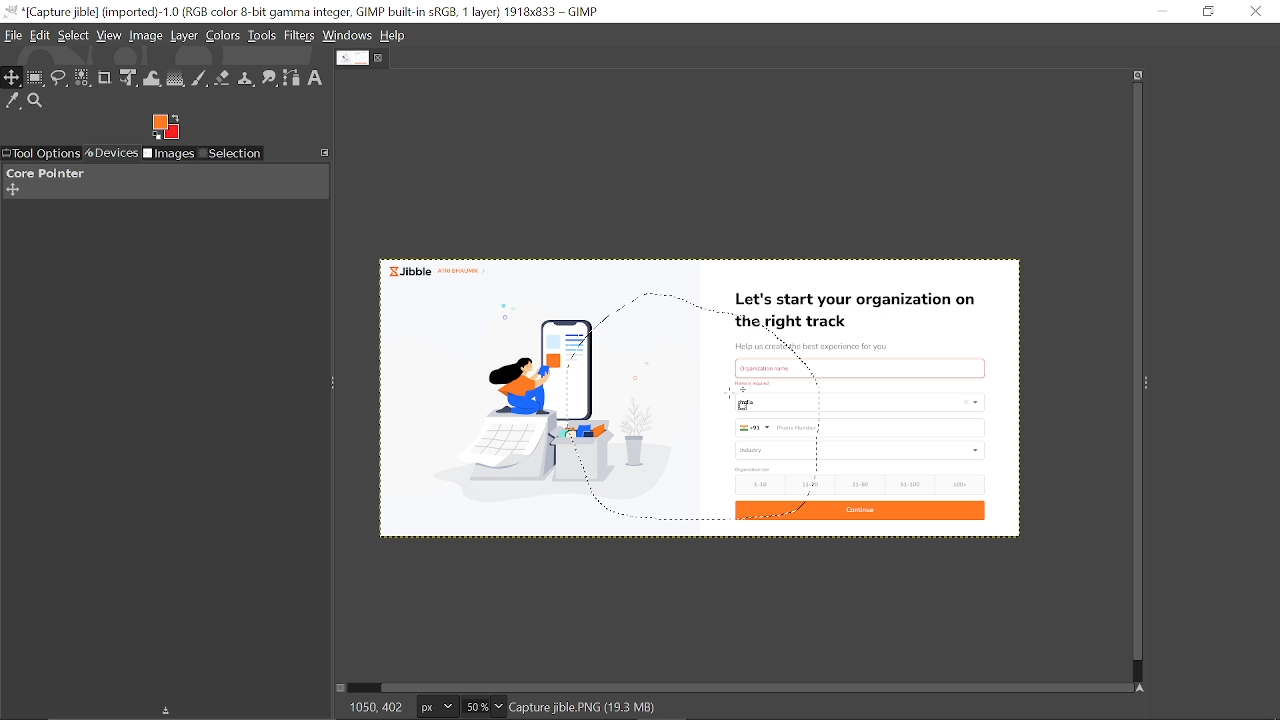  I want to click on Continue, so click(858, 512).